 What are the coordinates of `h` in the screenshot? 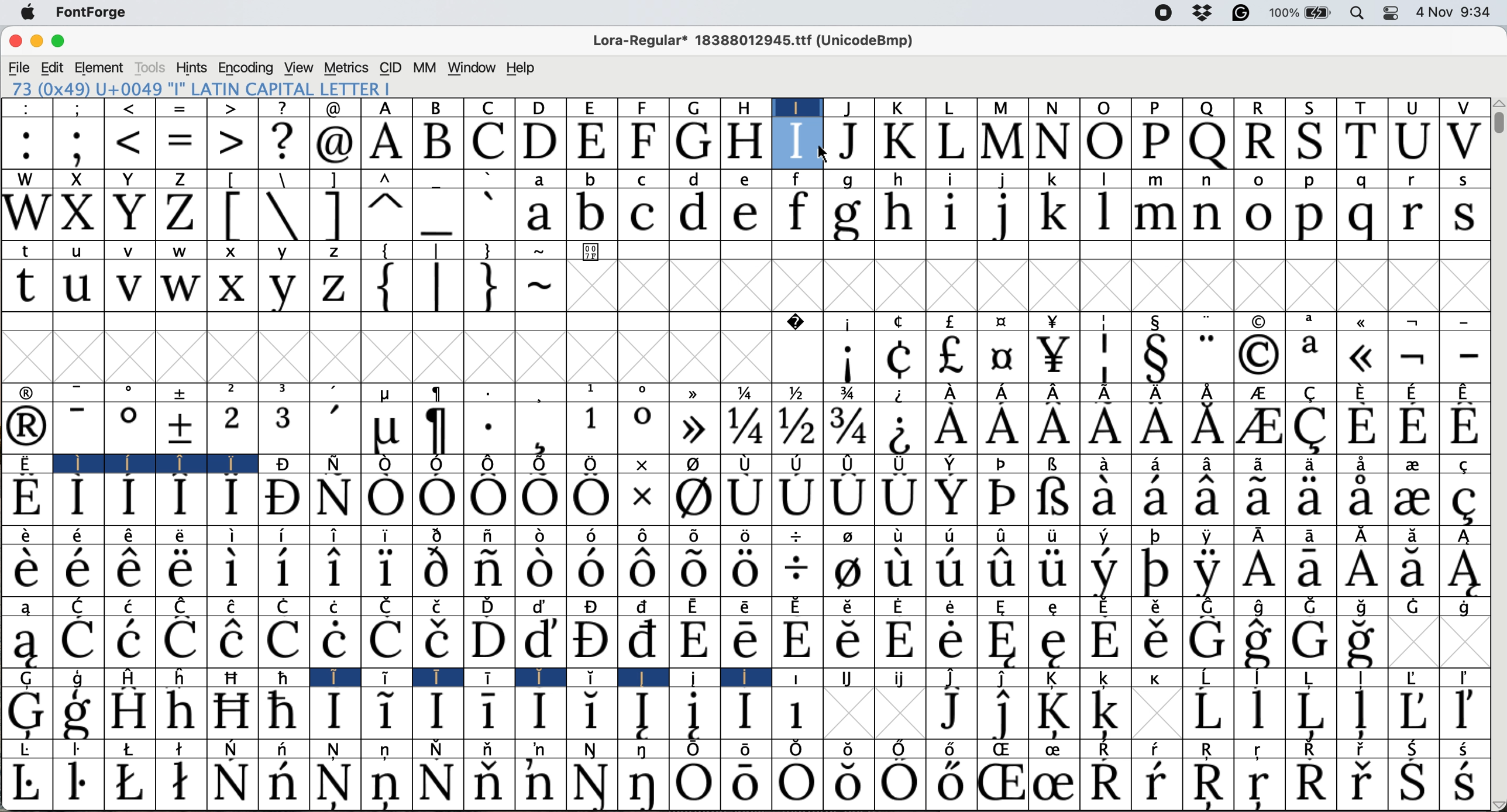 It's located at (747, 106).